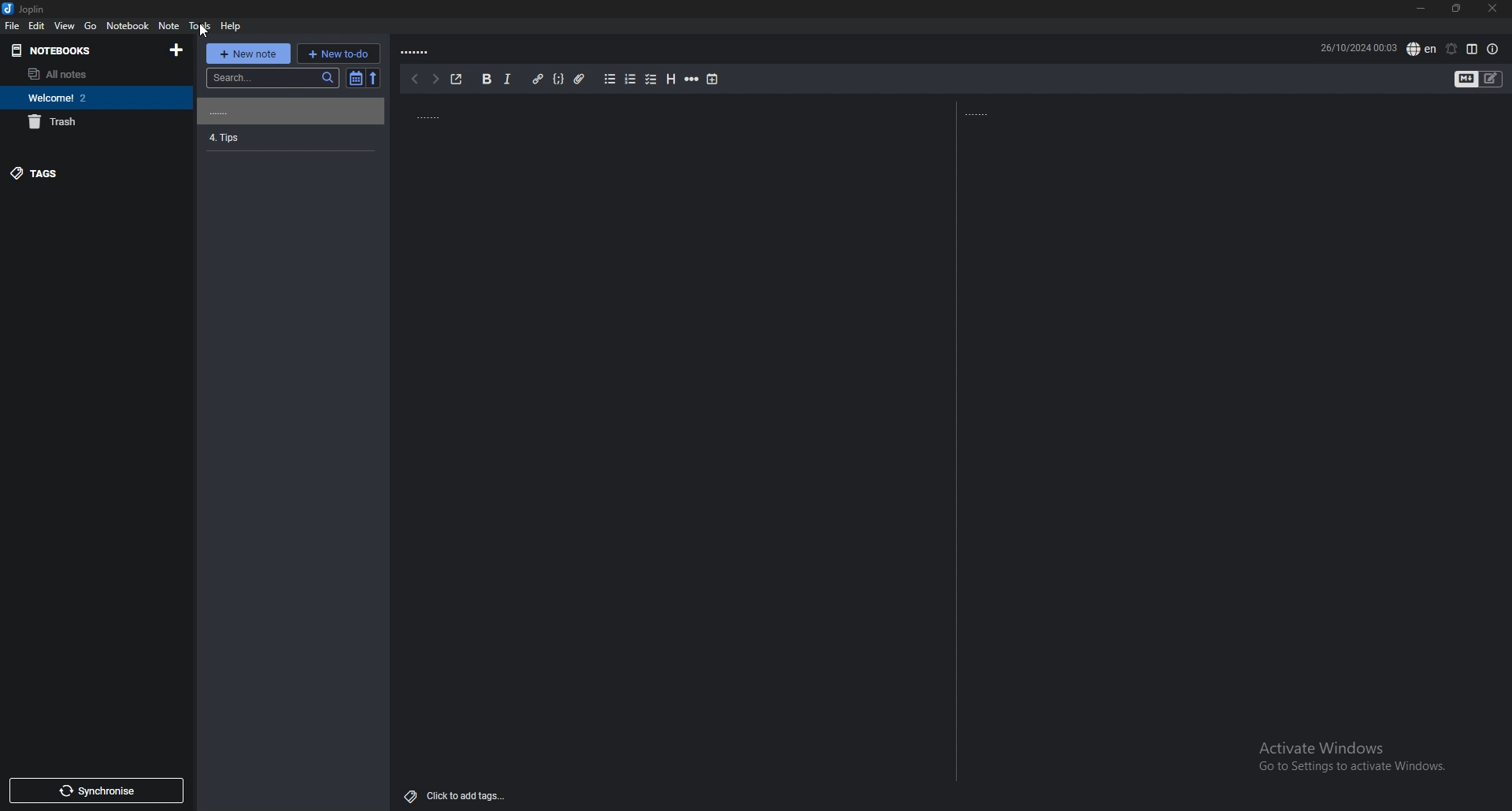 This screenshot has width=1512, height=811. Describe the element at coordinates (92, 173) in the screenshot. I see `tags` at that location.